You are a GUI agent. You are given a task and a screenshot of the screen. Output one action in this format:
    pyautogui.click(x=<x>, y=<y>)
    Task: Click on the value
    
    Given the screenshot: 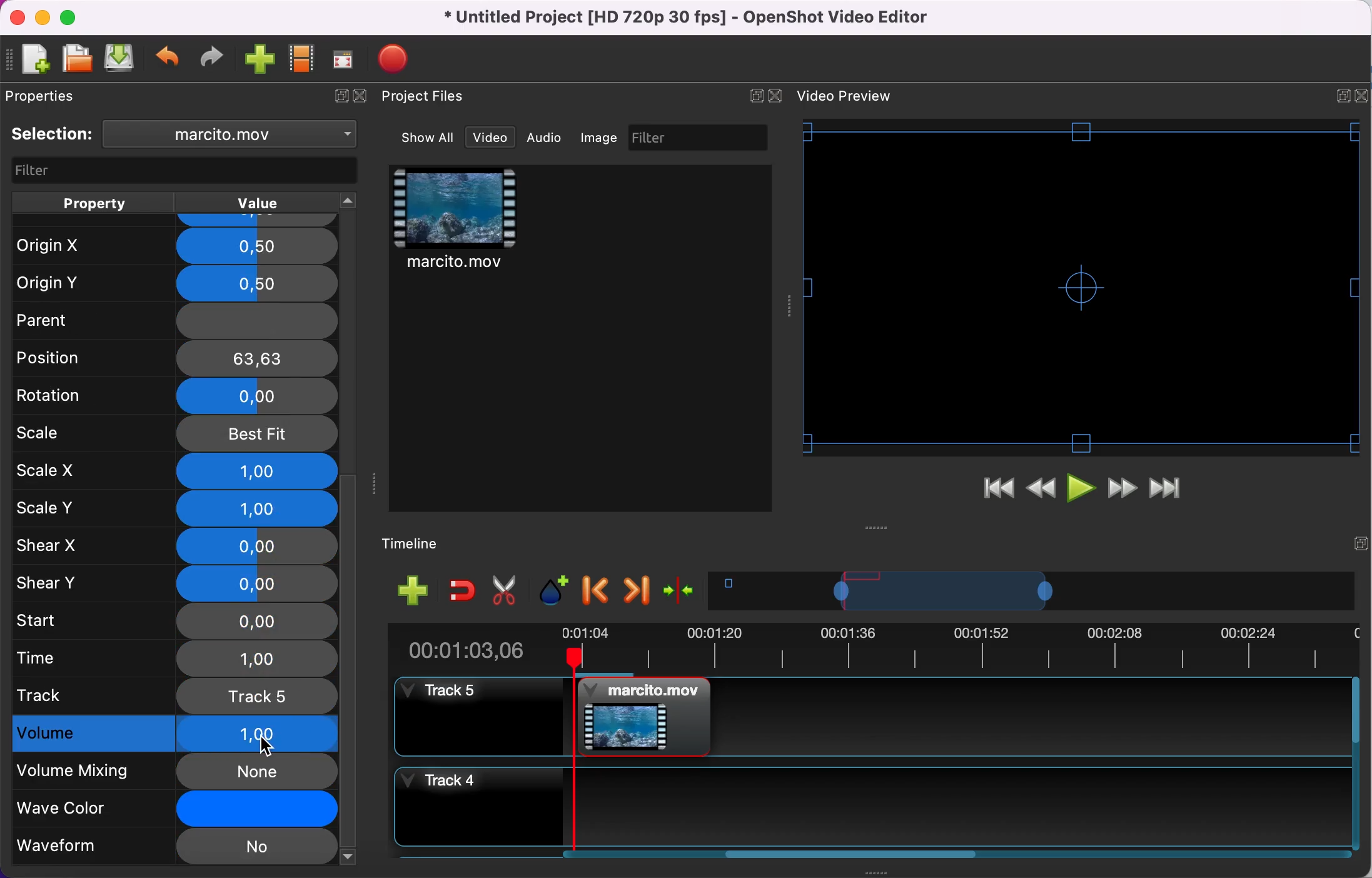 What is the action you would take?
    pyautogui.click(x=255, y=203)
    